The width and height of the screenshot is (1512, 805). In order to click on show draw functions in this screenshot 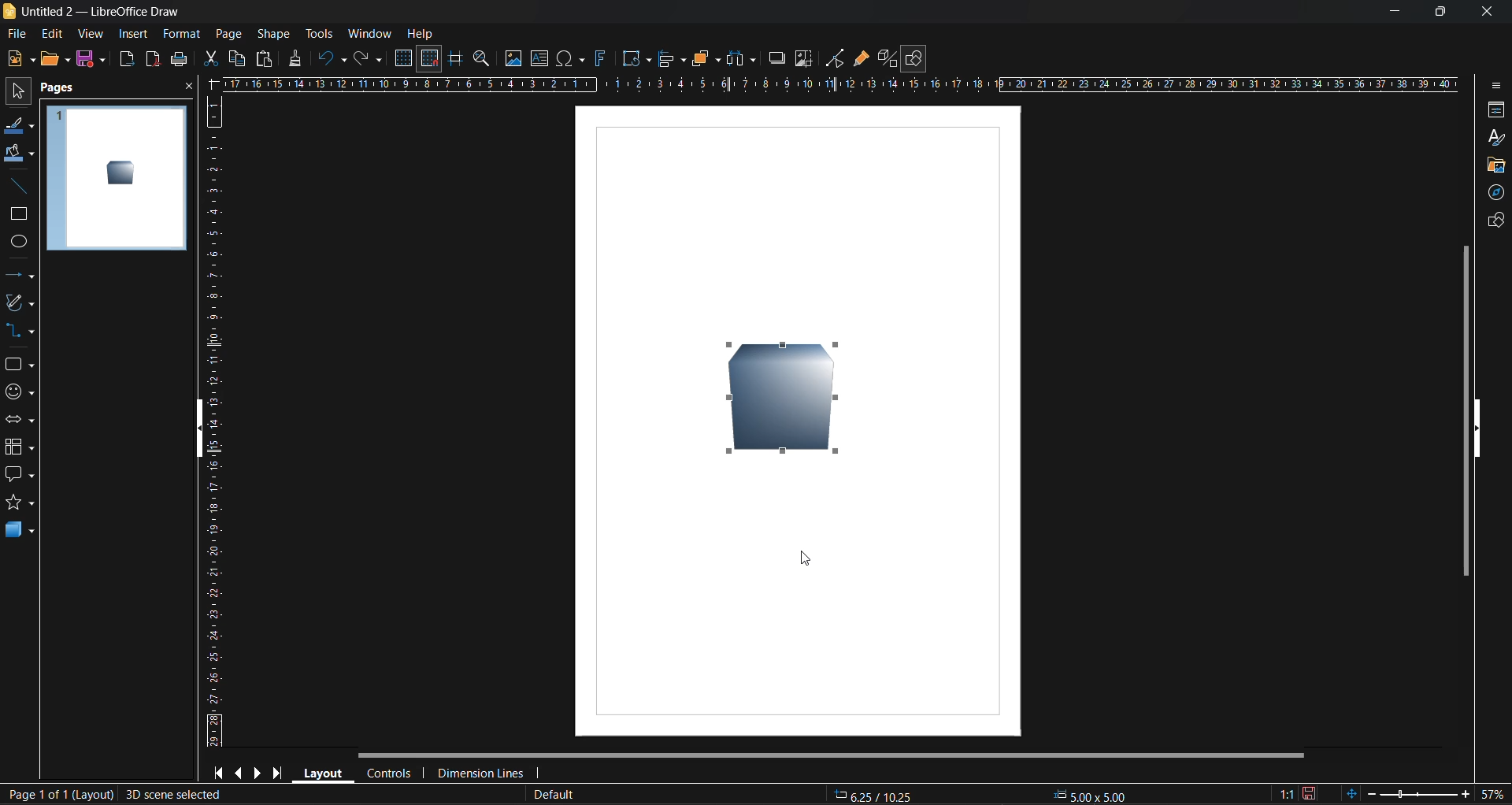, I will do `click(917, 59)`.